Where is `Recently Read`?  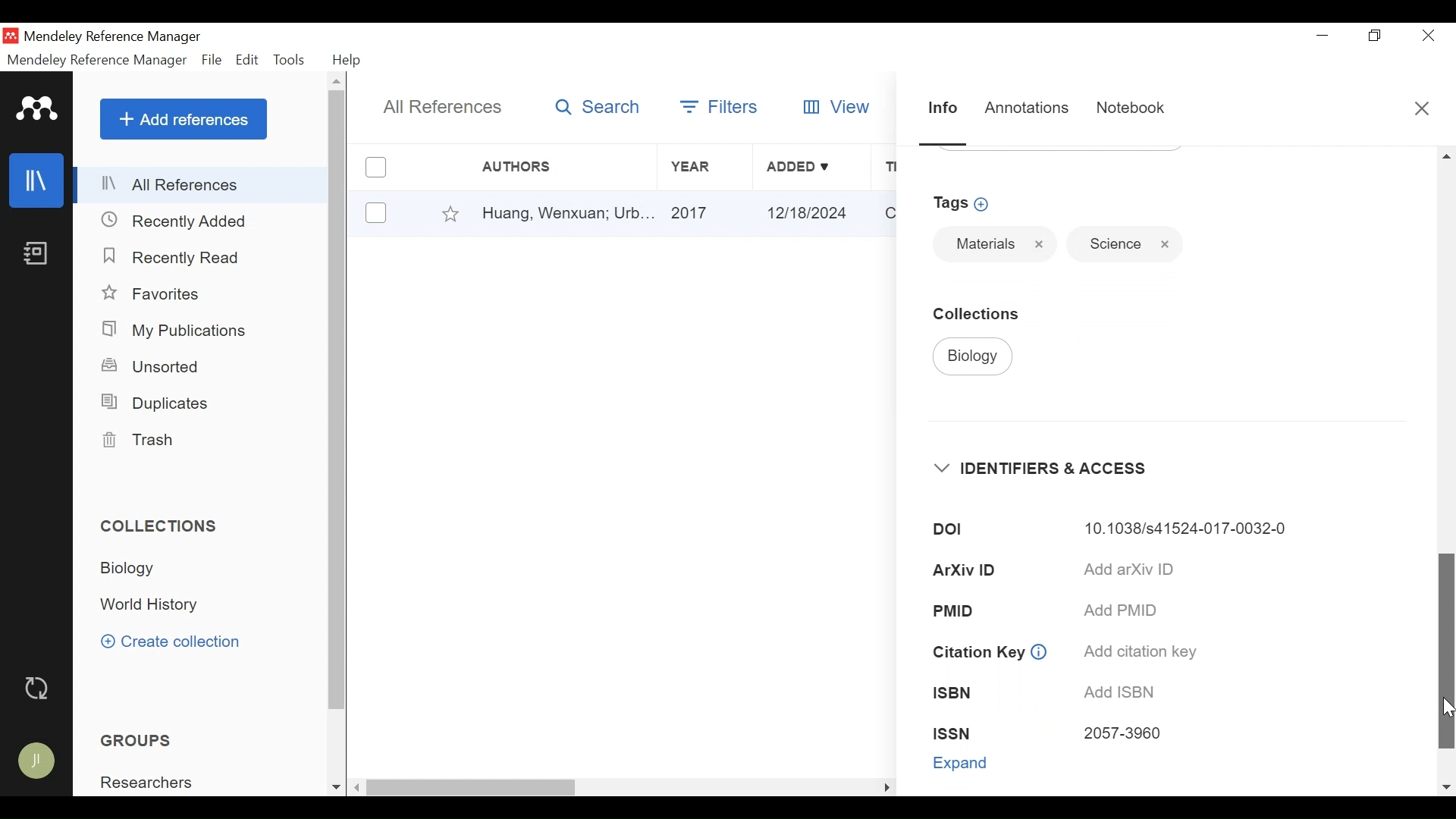
Recently Read is located at coordinates (176, 258).